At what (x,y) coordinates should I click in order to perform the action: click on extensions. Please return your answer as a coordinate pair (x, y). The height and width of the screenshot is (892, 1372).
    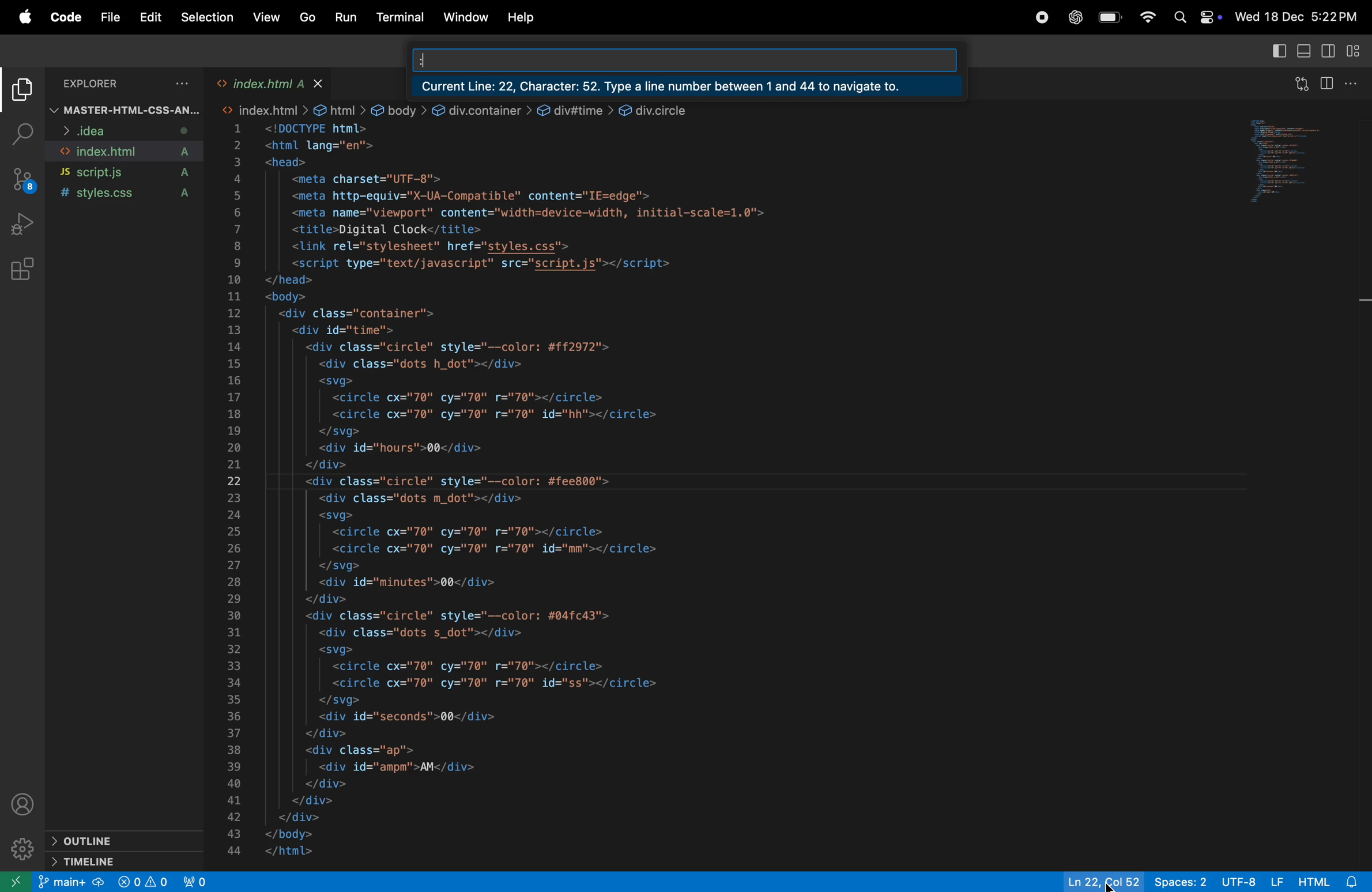
    Looking at the image, I should click on (22, 270).